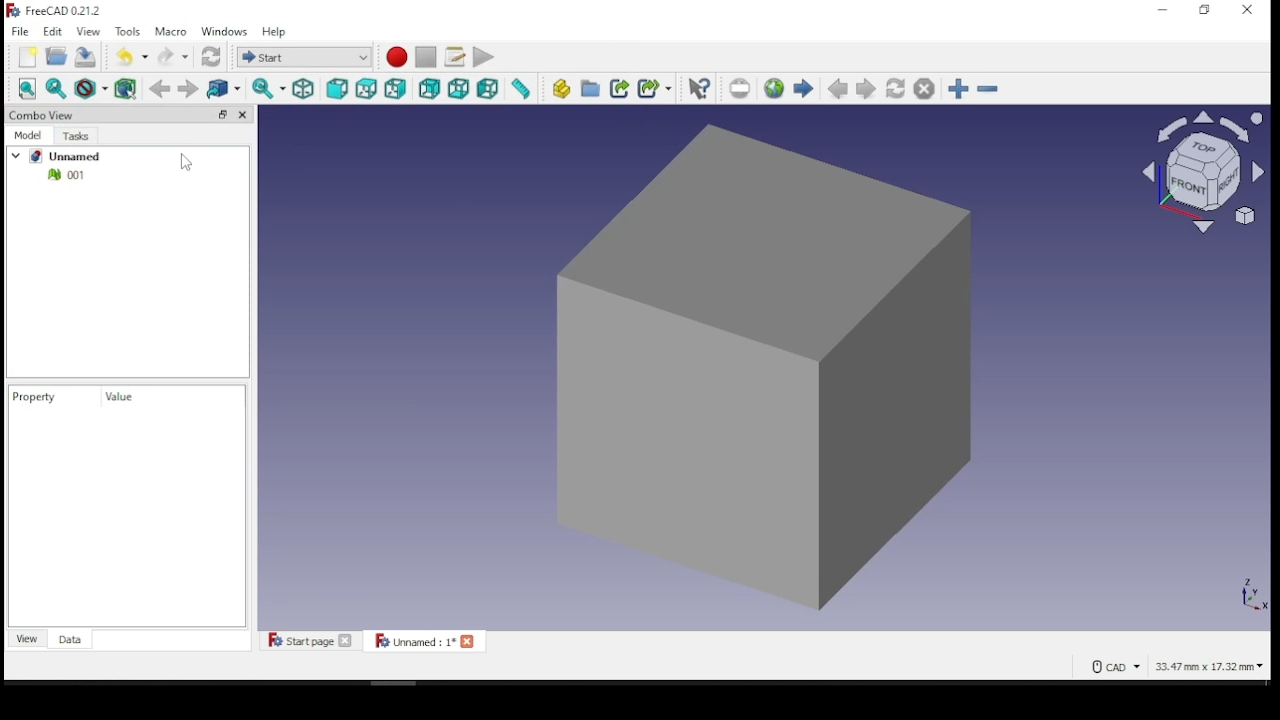 The width and height of the screenshot is (1280, 720). I want to click on property, so click(41, 397).